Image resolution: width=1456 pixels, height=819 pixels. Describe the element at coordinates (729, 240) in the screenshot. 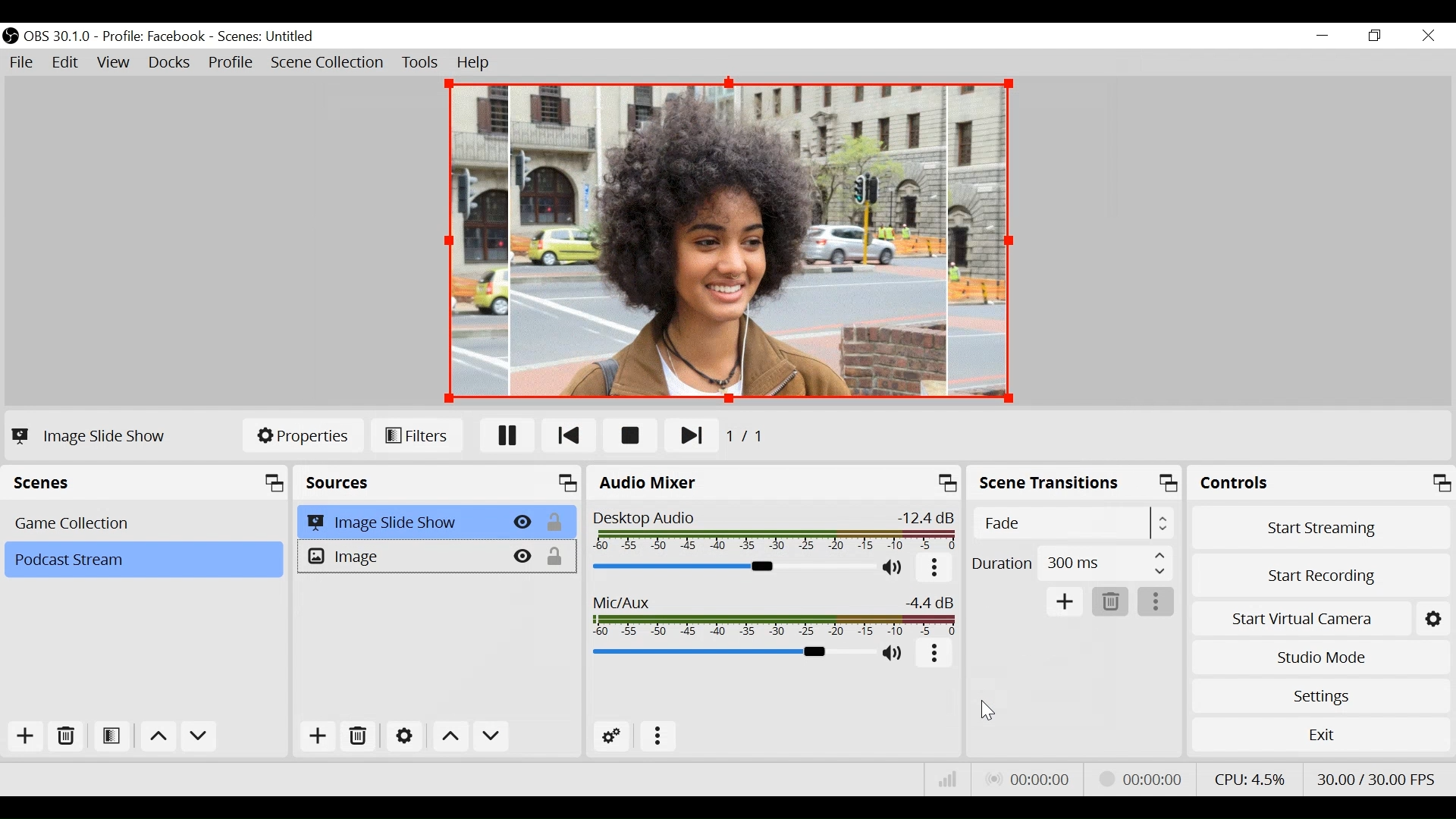

I see `Preview` at that location.